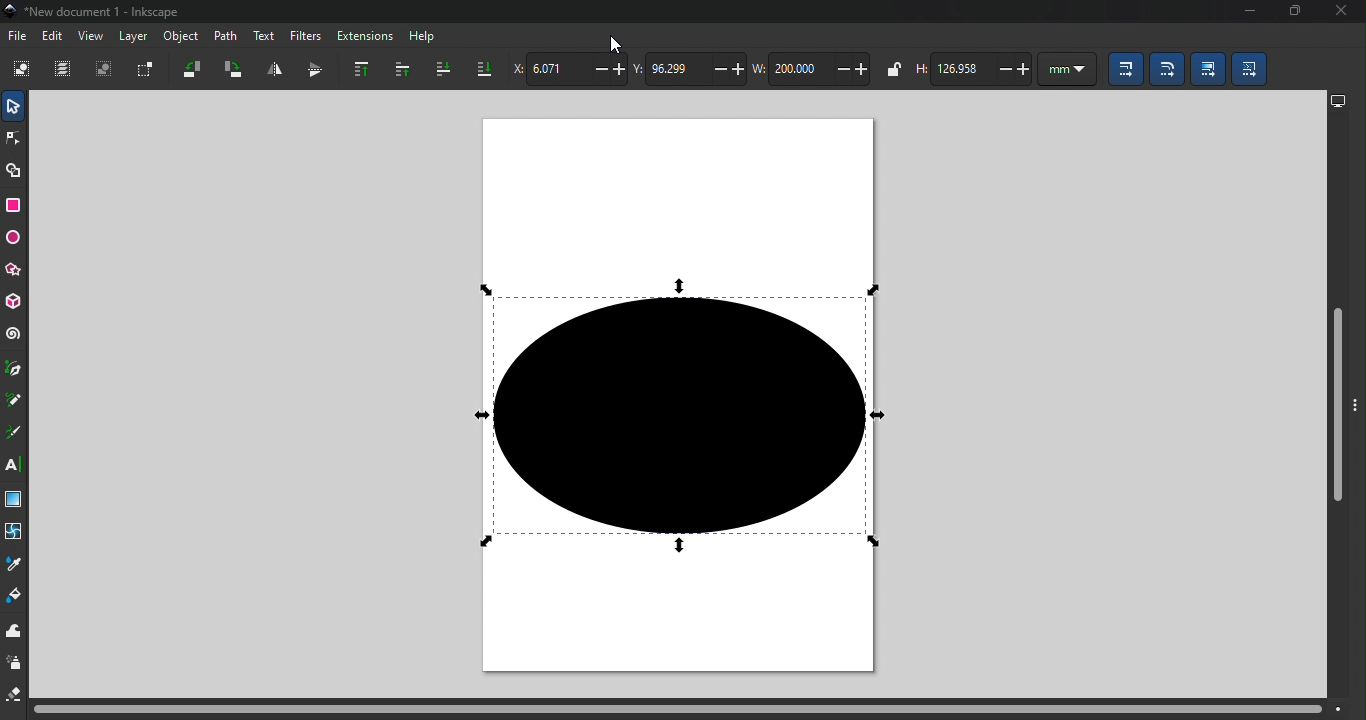  I want to click on 3D box tool, so click(16, 302).